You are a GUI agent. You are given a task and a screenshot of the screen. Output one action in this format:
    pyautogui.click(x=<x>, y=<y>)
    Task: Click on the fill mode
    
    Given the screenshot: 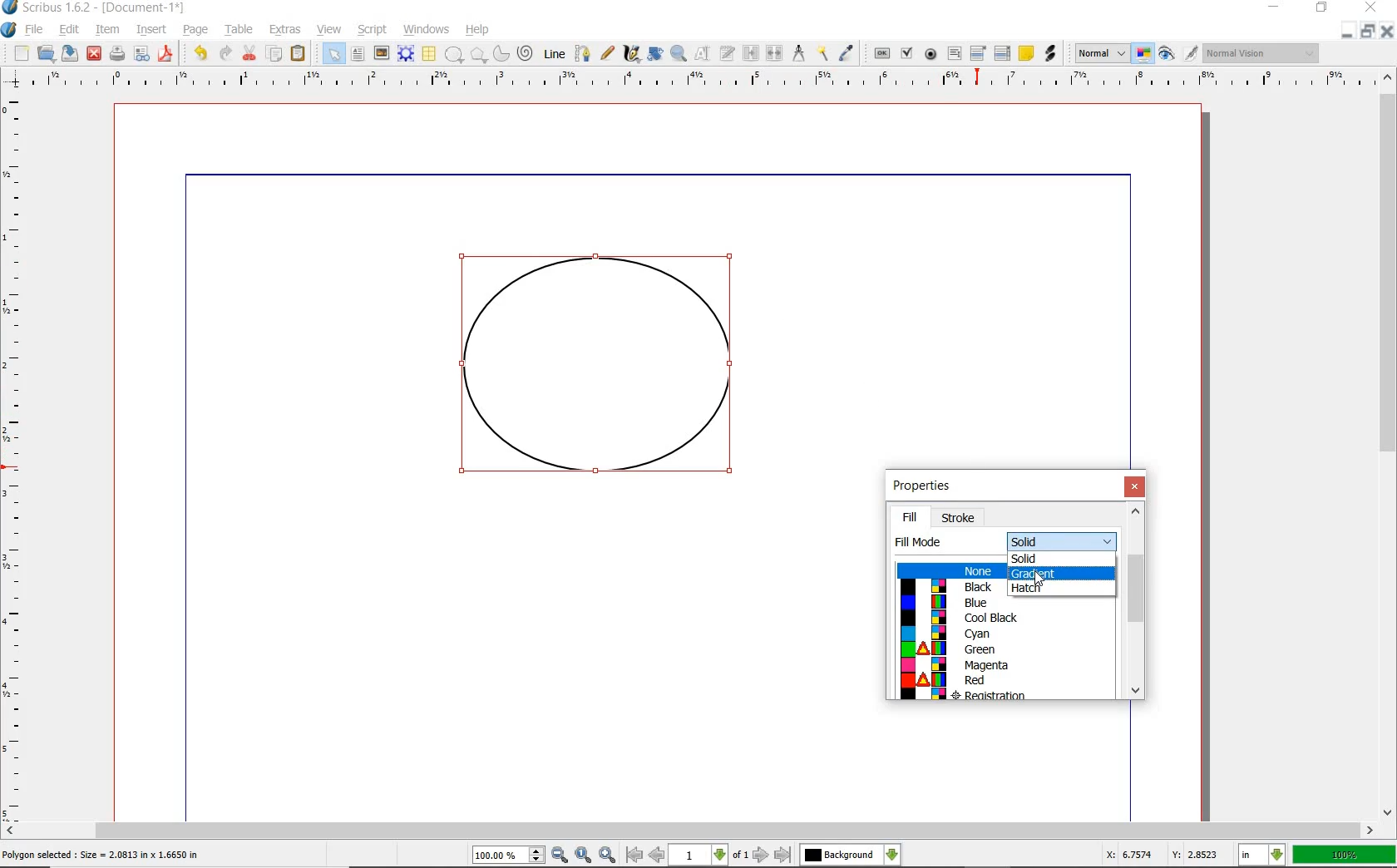 What is the action you would take?
    pyautogui.click(x=1062, y=540)
    